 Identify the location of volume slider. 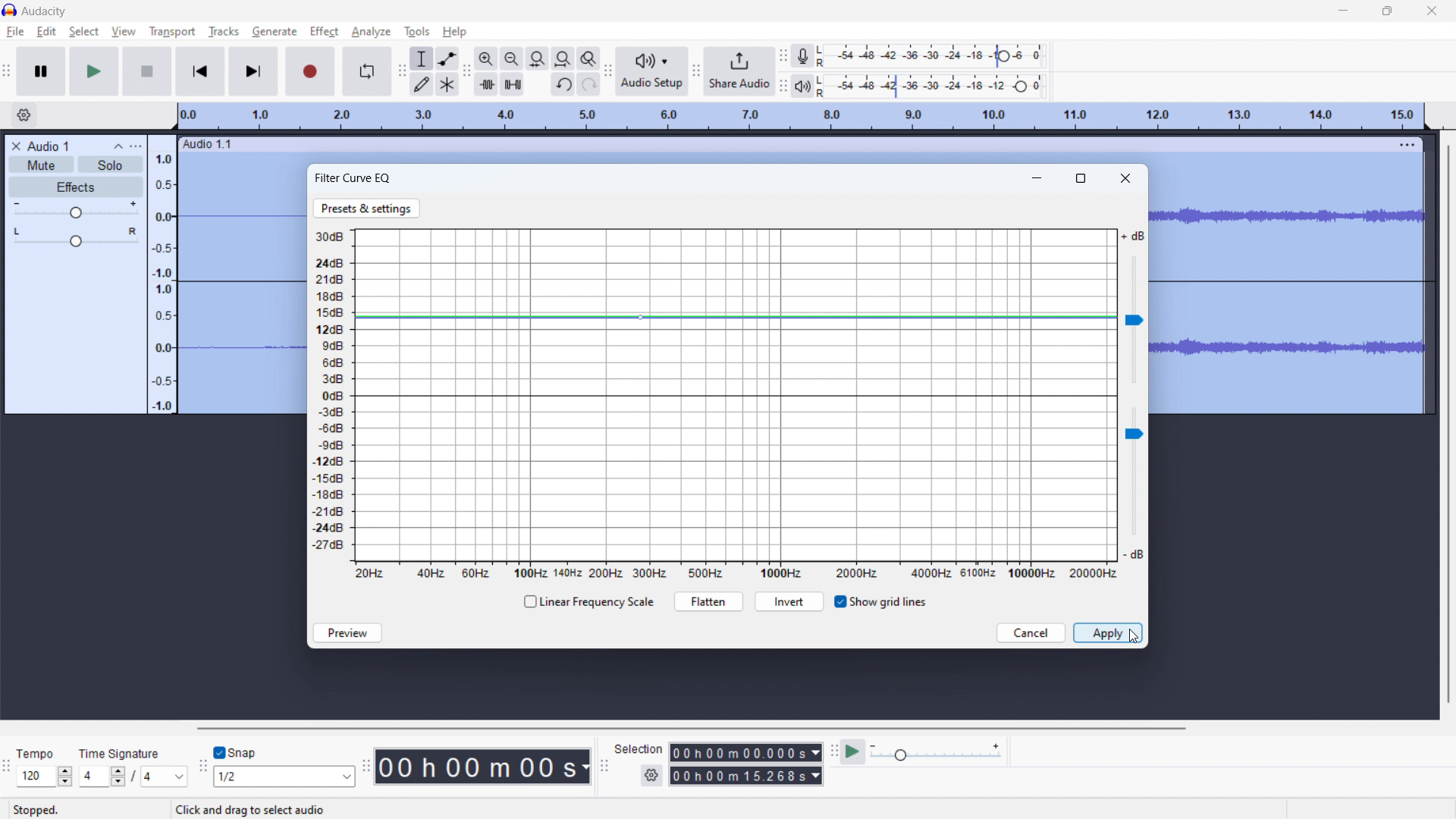
(1132, 486).